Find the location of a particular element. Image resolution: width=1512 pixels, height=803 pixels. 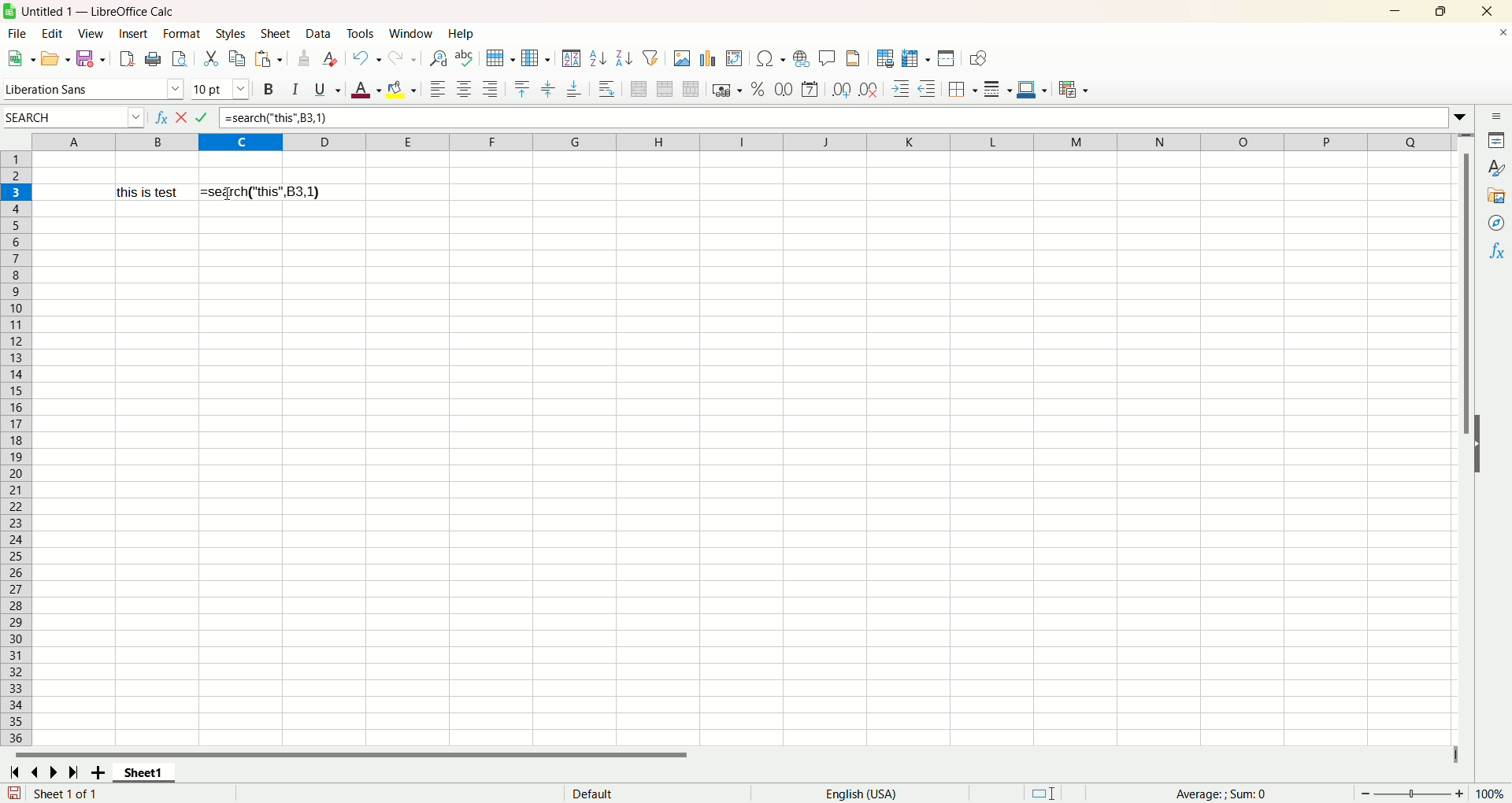

sheet number is located at coordinates (88, 794).